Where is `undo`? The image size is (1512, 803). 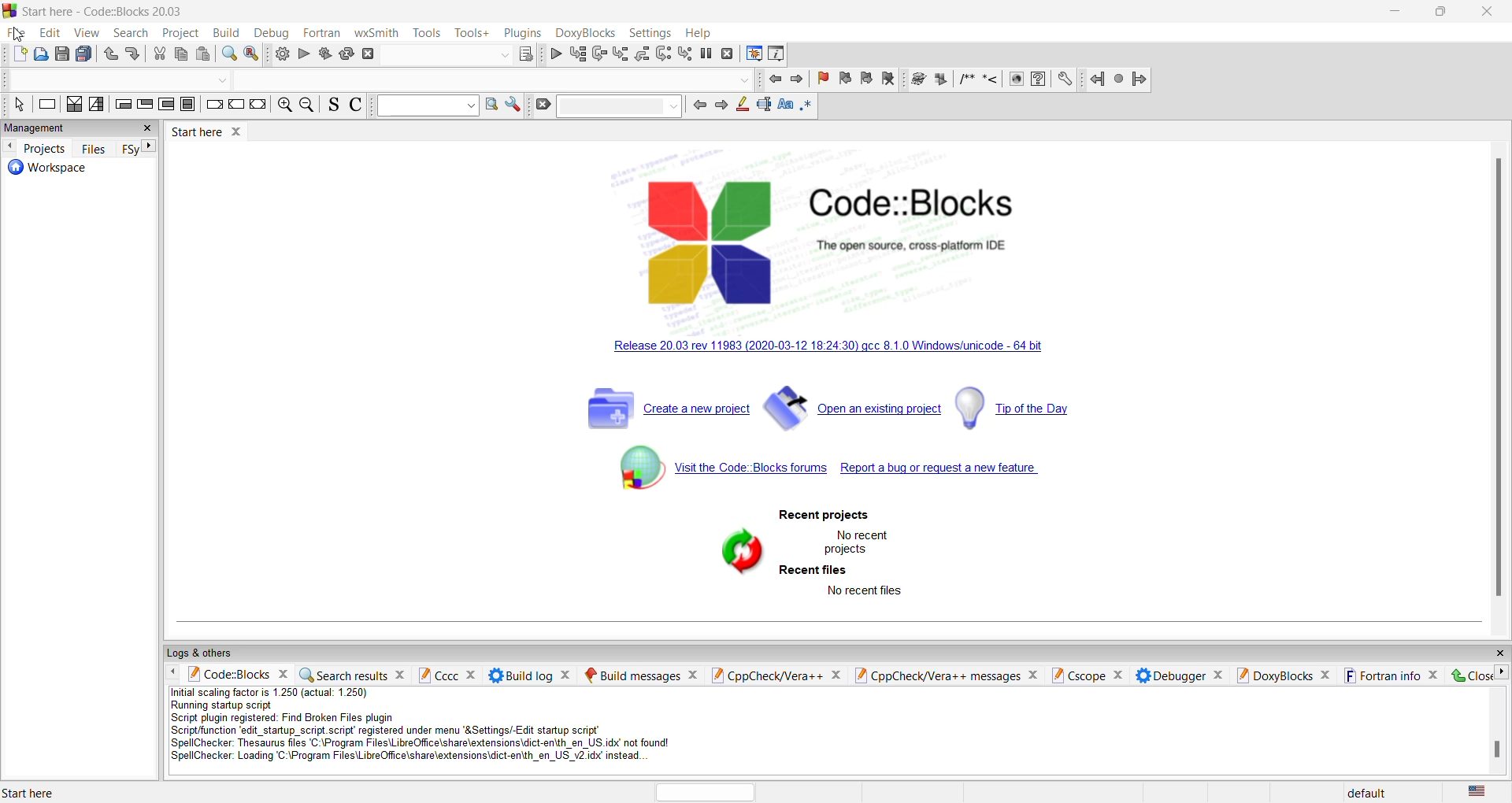 undo is located at coordinates (110, 55).